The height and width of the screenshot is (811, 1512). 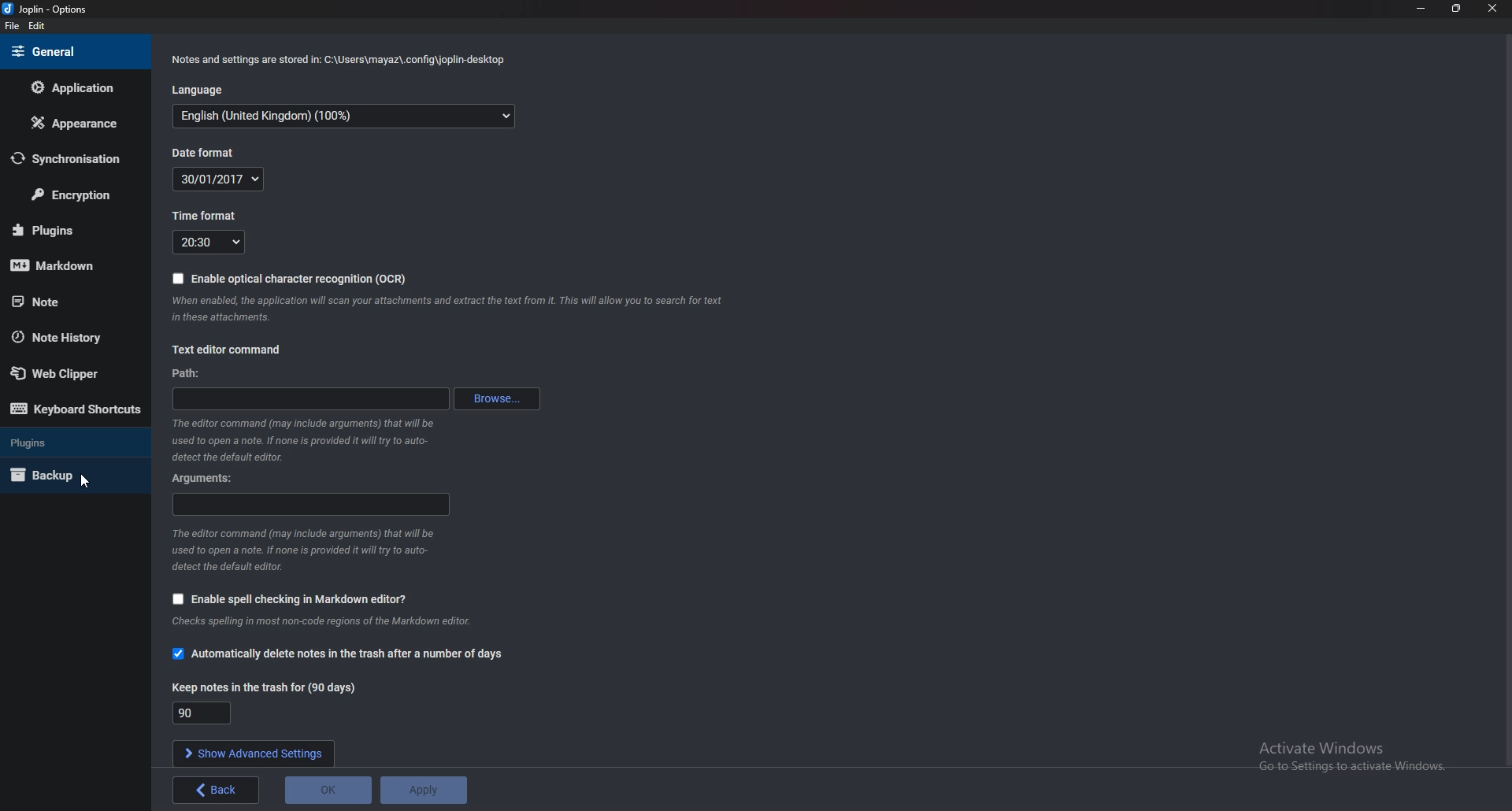 What do you see at coordinates (65, 374) in the screenshot?
I see `Web clipper` at bounding box center [65, 374].